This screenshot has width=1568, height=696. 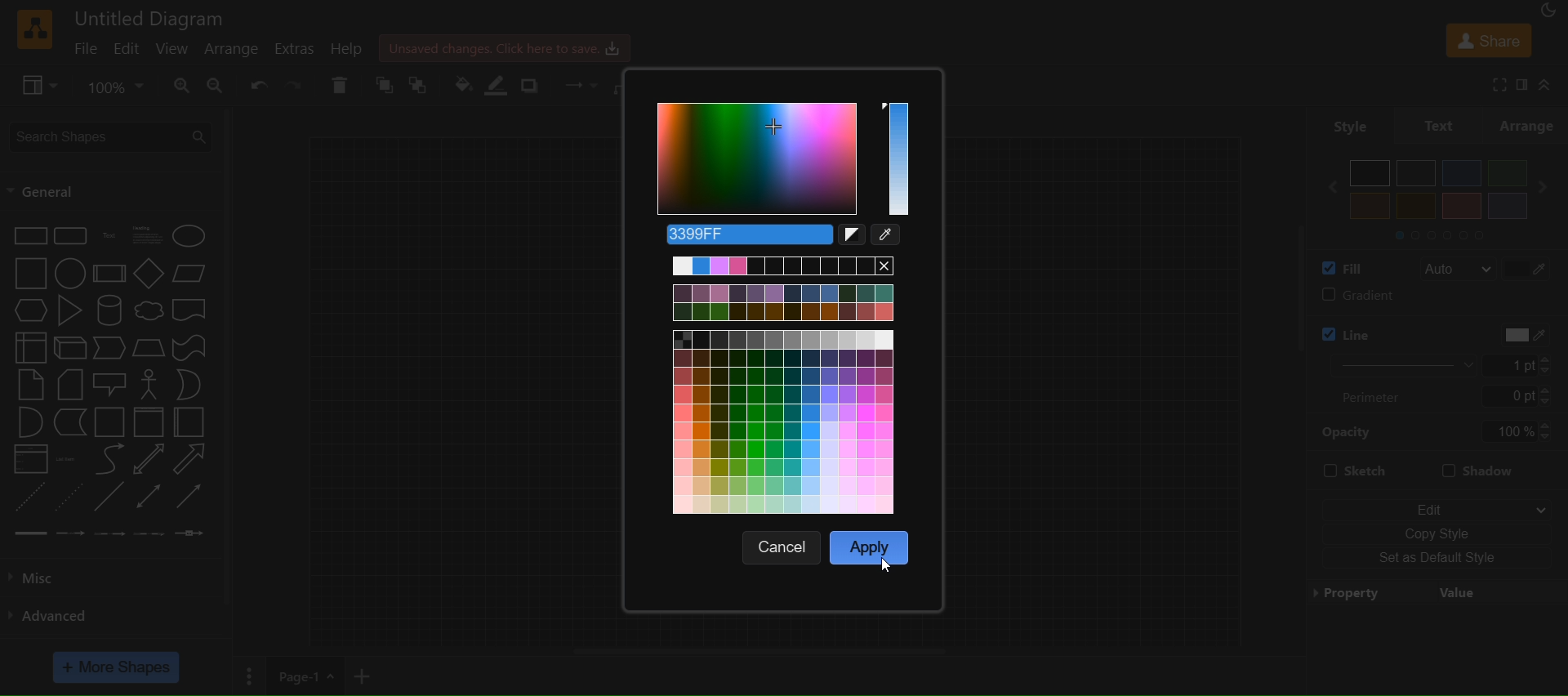 What do you see at coordinates (1437, 532) in the screenshot?
I see `copy style` at bounding box center [1437, 532].